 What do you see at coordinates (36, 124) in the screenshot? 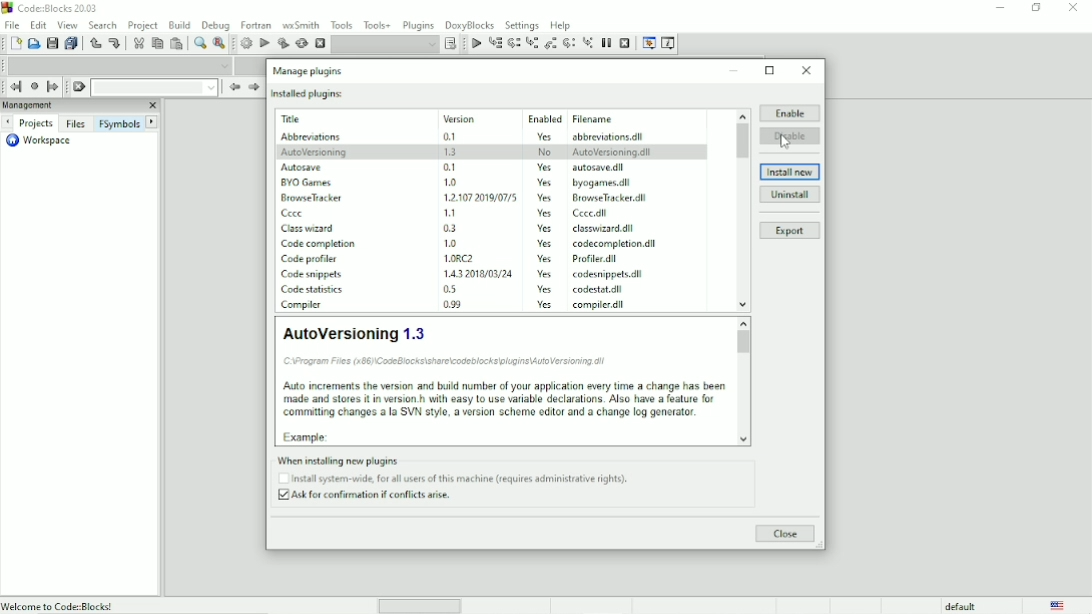
I see `Projects` at bounding box center [36, 124].